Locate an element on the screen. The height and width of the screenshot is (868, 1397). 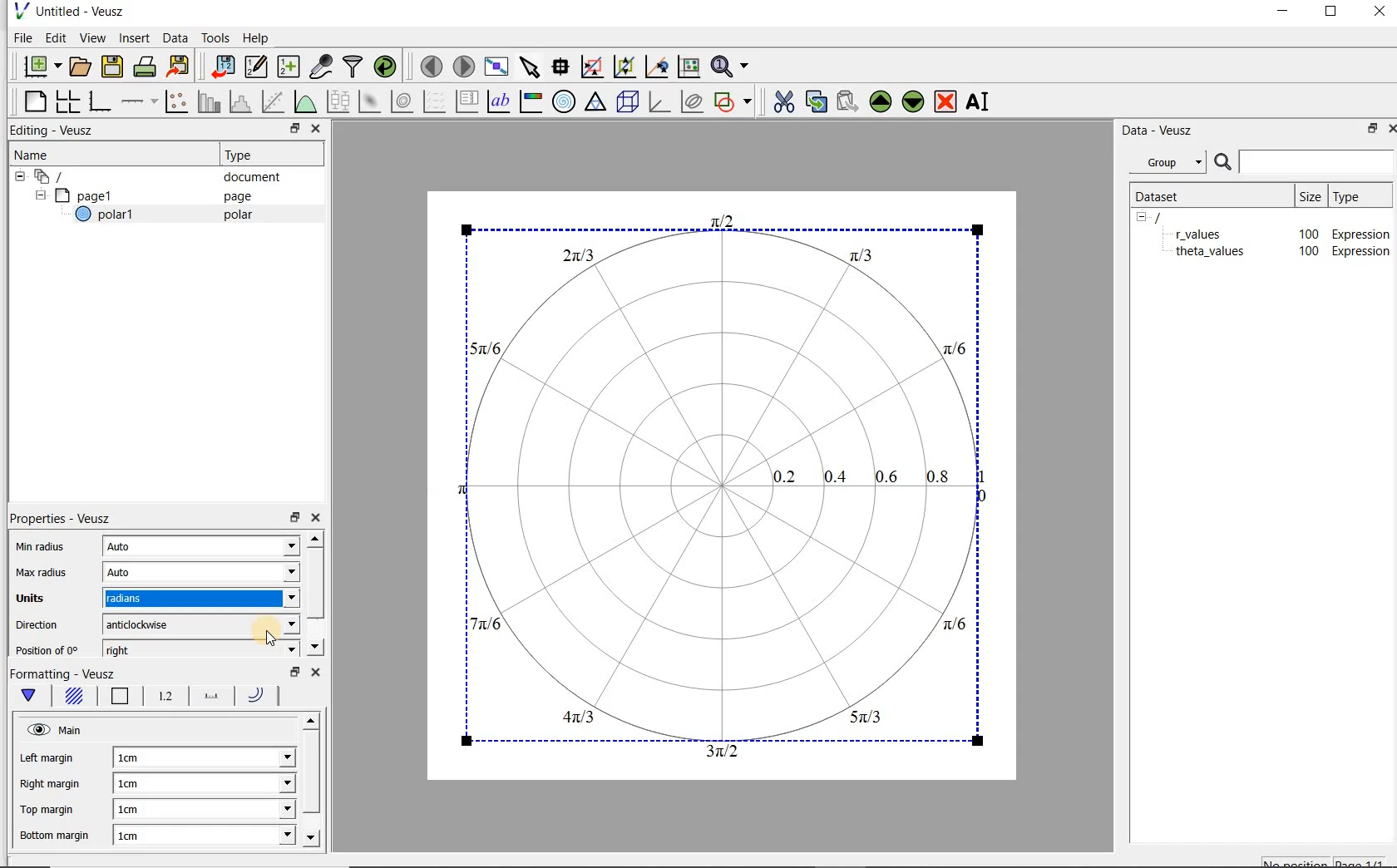
polar graph is located at coordinates (565, 101).